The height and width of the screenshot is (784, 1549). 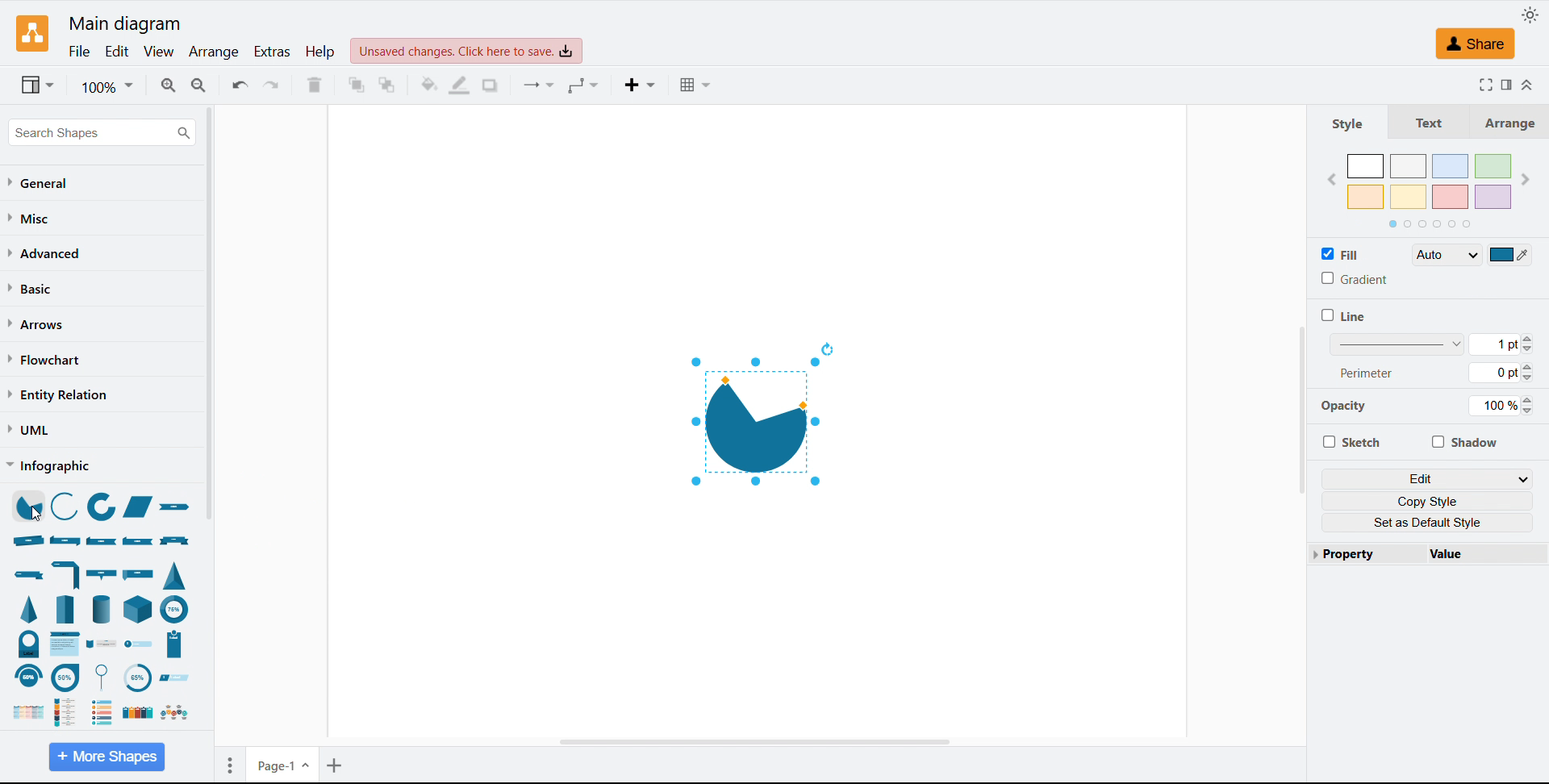 I want to click on General , so click(x=41, y=184).